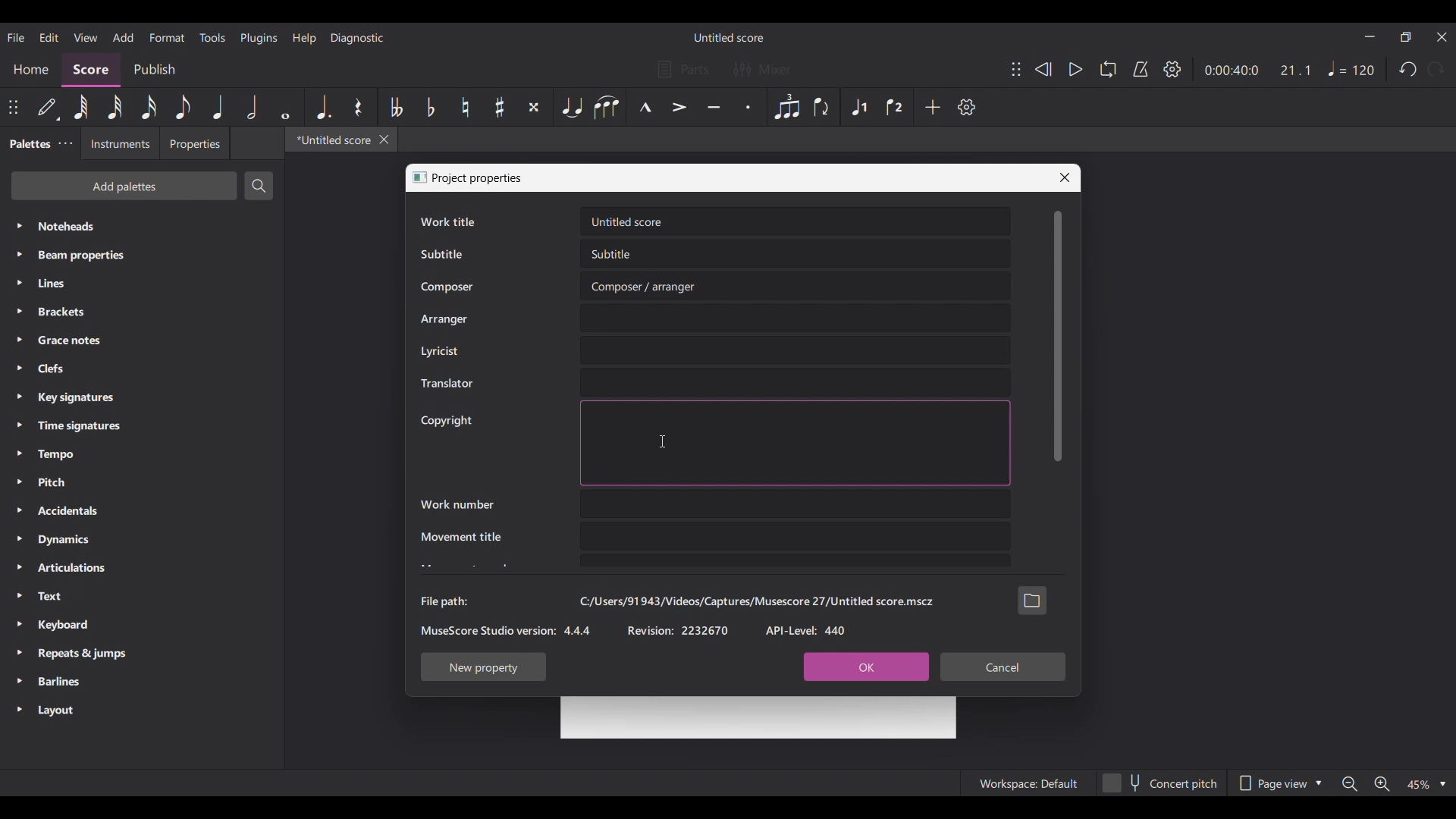  I want to click on Tenuto, so click(714, 107).